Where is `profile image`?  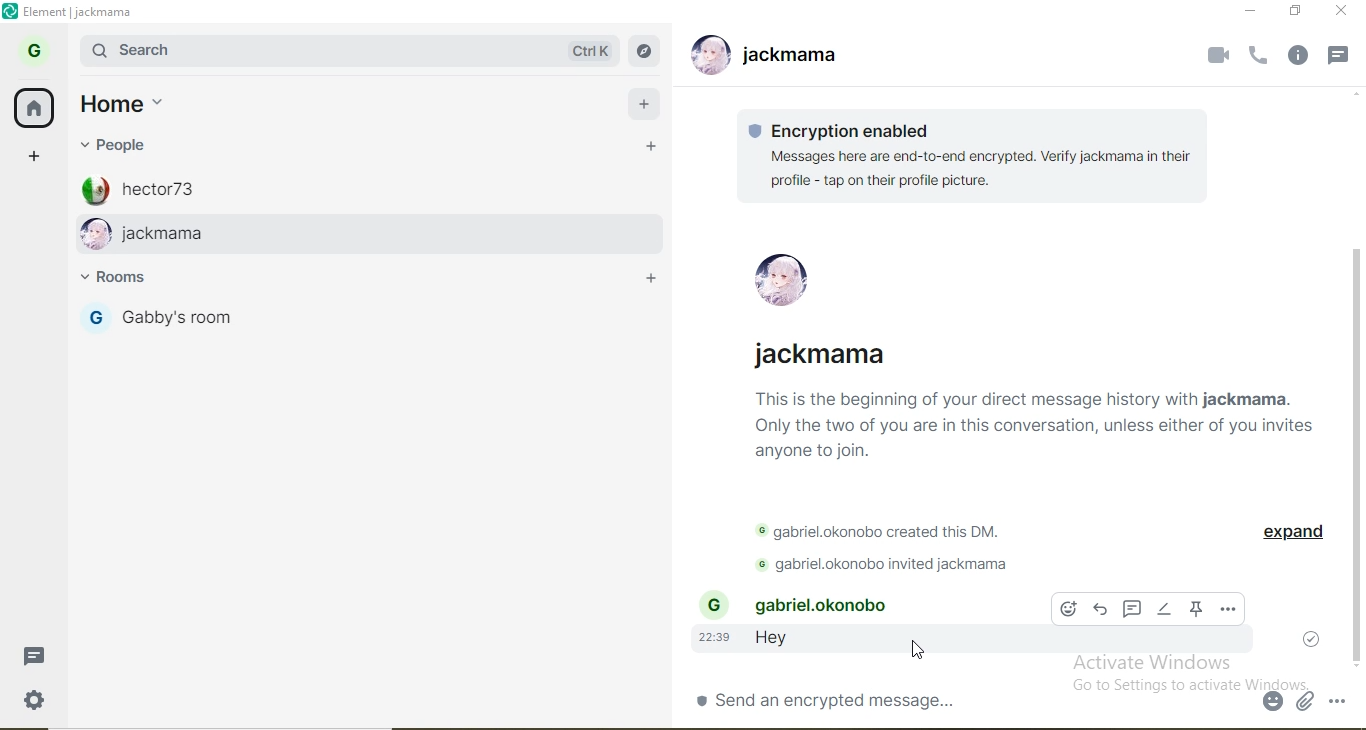 profile image is located at coordinates (713, 55).